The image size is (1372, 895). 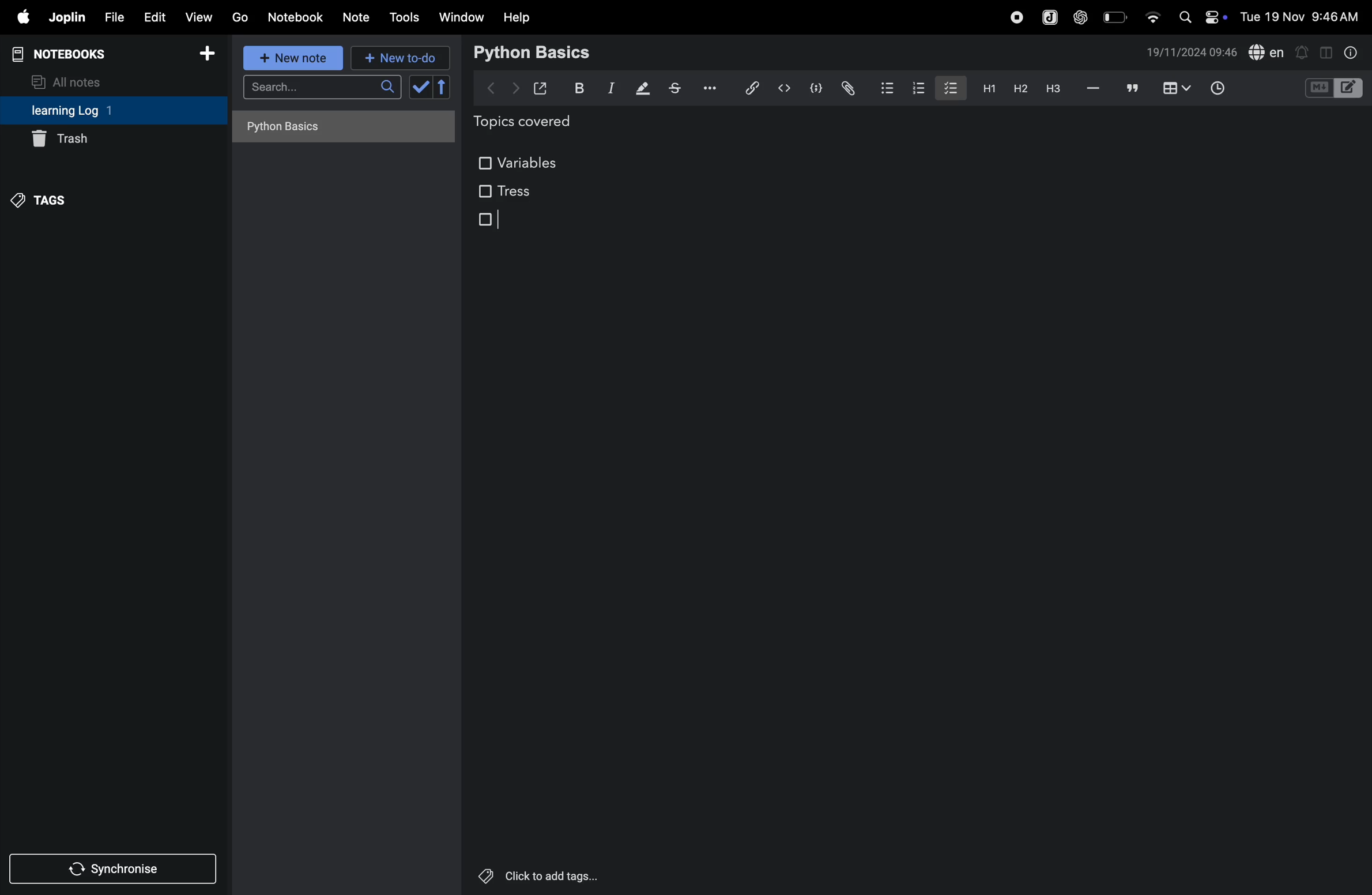 What do you see at coordinates (1174, 89) in the screenshot?
I see `add table` at bounding box center [1174, 89].